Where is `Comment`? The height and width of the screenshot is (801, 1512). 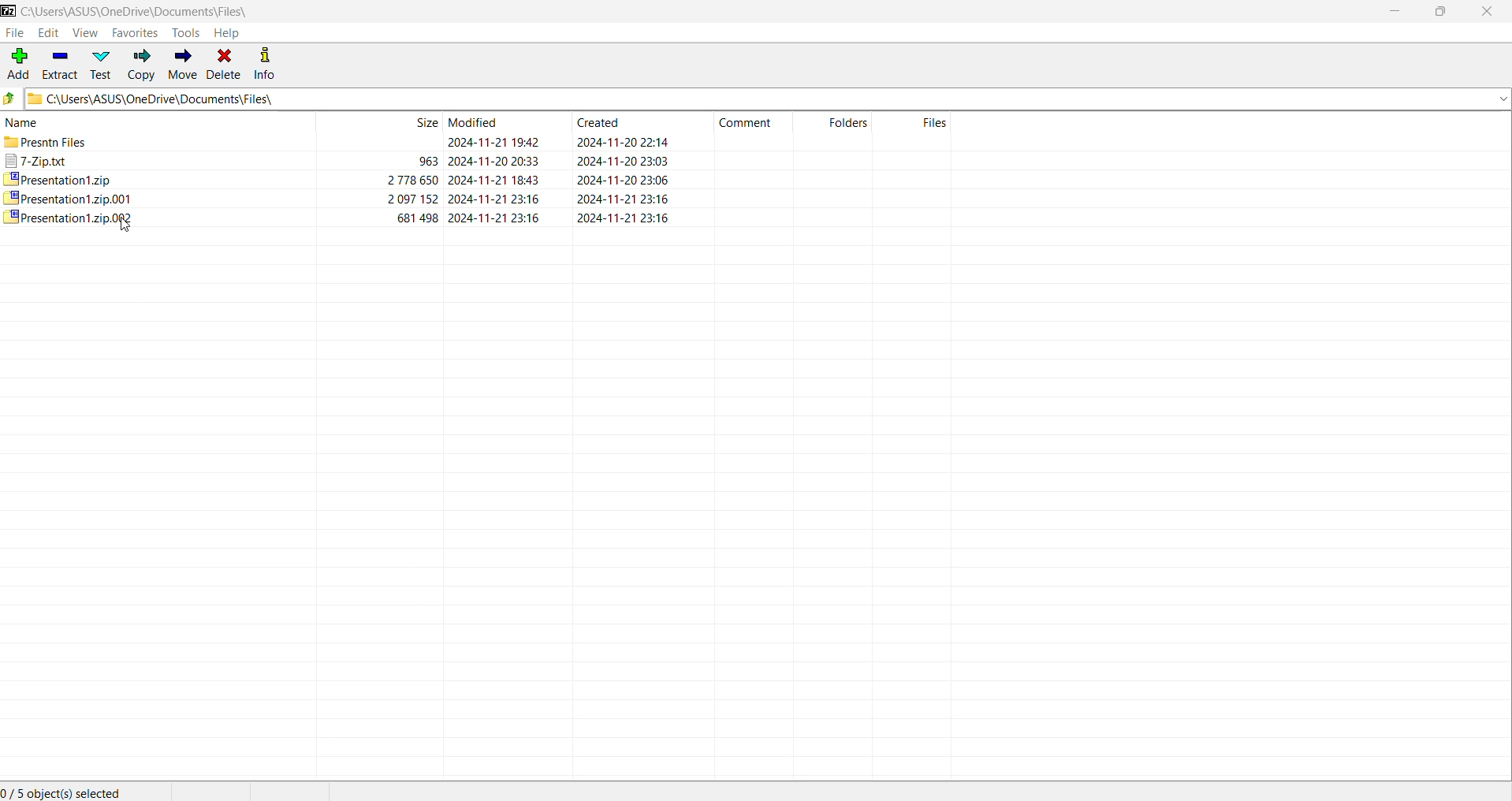 Comment is located at coordinates (750, 121).